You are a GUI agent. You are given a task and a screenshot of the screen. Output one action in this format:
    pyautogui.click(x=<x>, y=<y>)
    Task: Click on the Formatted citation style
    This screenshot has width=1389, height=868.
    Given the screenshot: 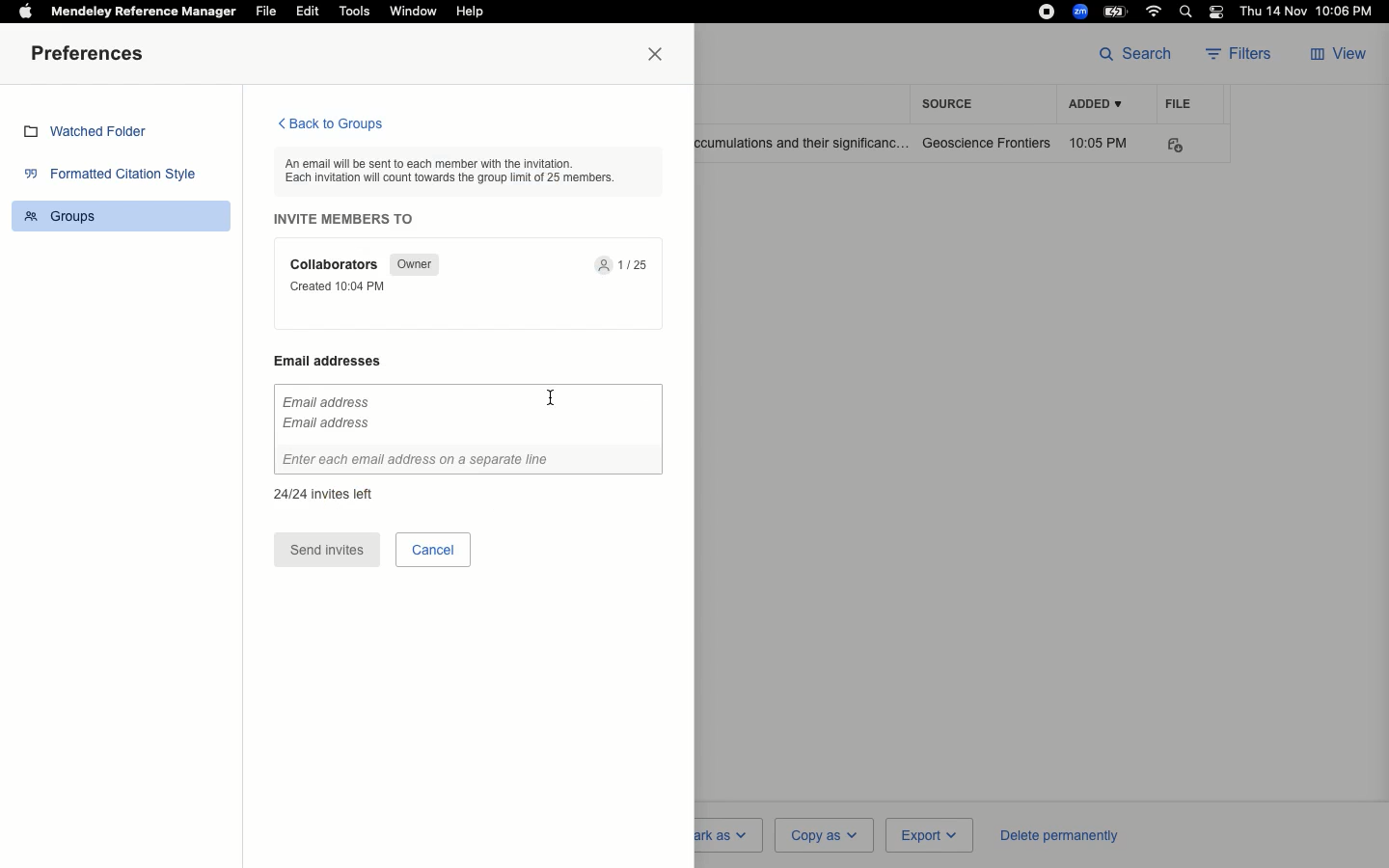 What is the action you would take?
    pyautogui.click(x=116, y=176)
    